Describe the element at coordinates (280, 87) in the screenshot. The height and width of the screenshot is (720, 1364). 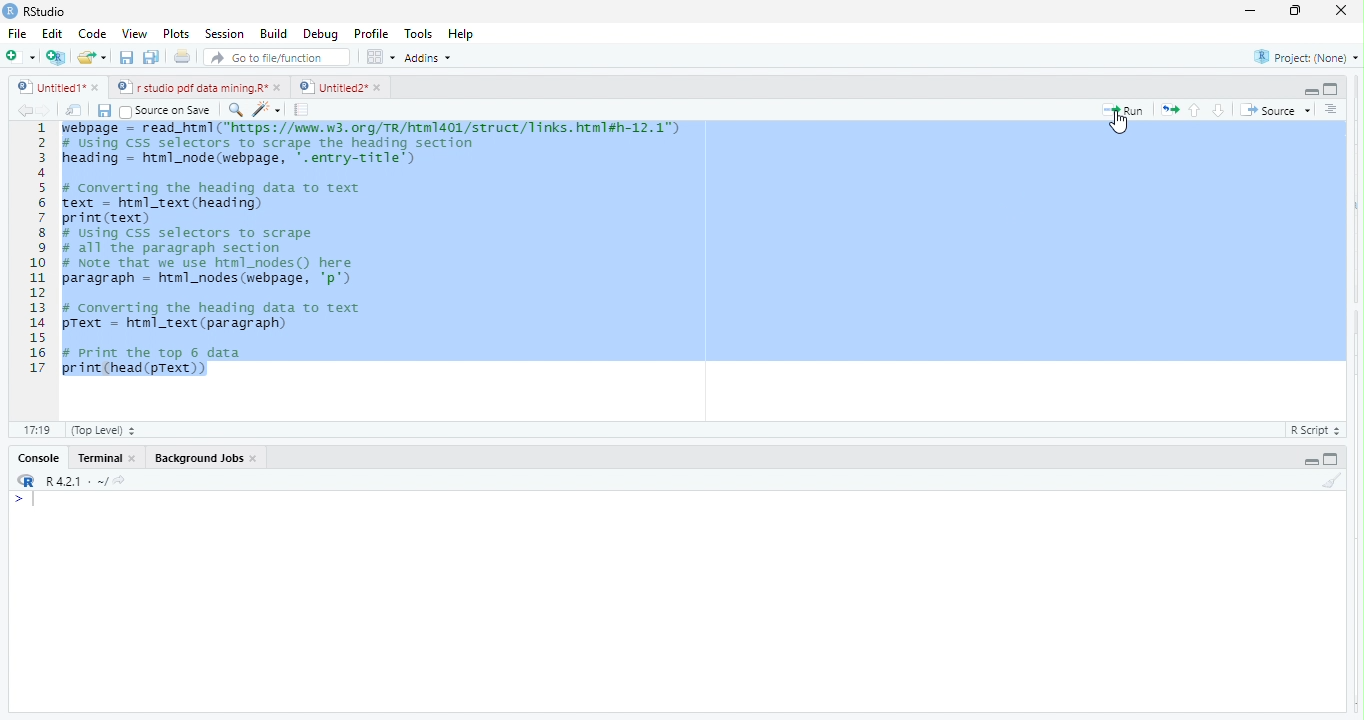
I see `close` at that location.